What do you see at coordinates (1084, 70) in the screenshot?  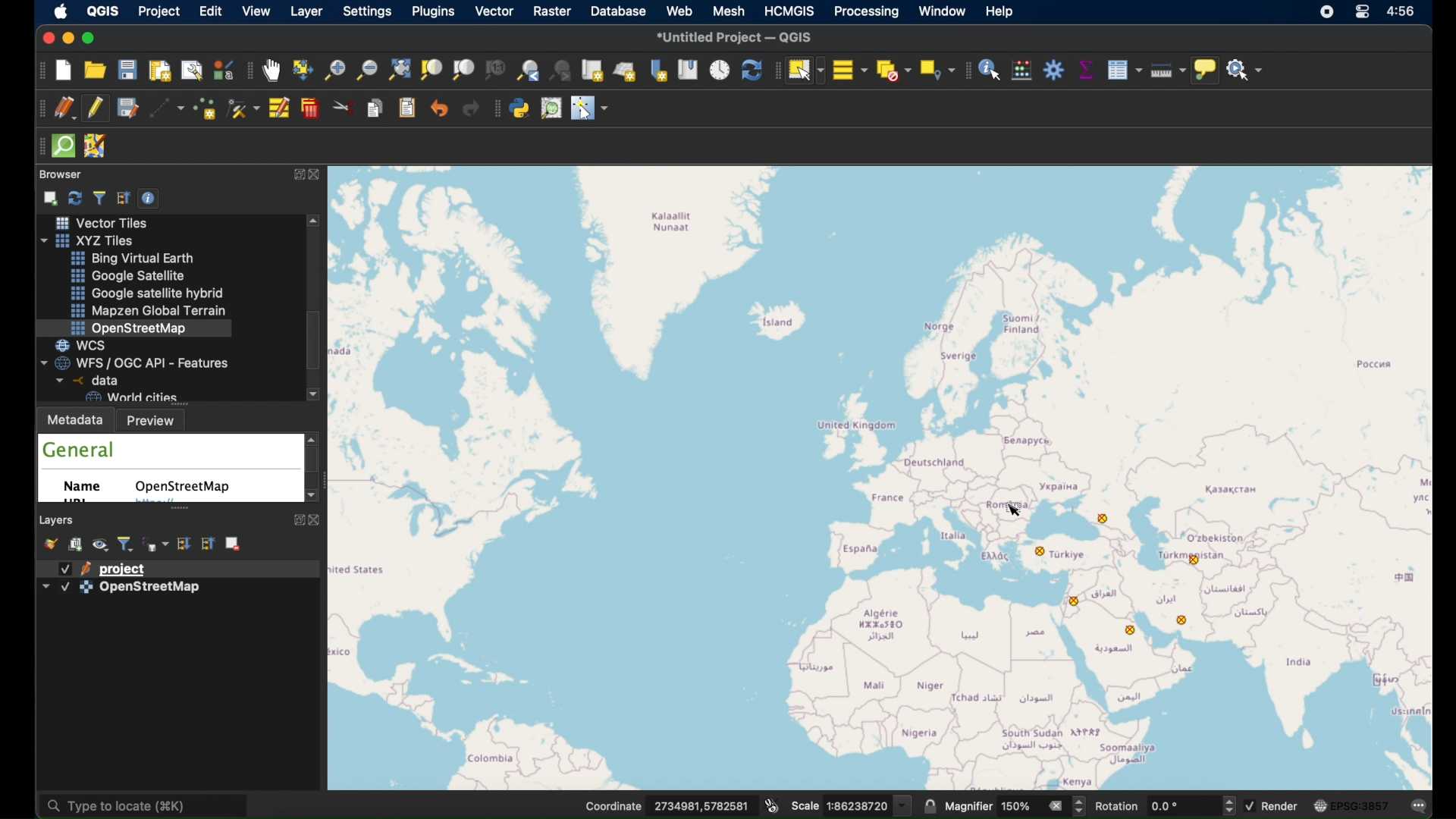 I see `statistical summary` at bounding box center [1084, 70].